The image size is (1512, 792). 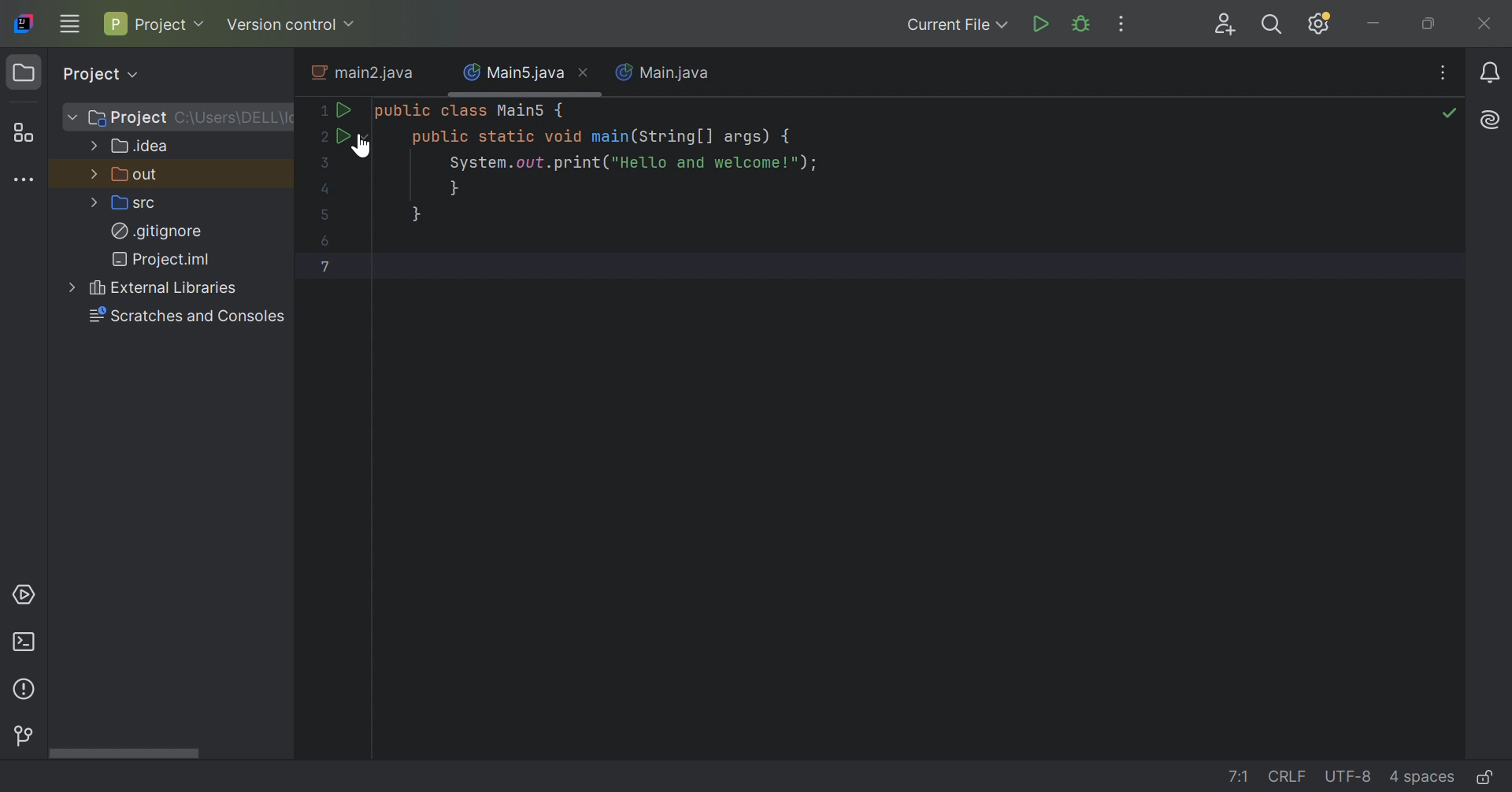 I want to click on Project, so click(x=98, y=72).